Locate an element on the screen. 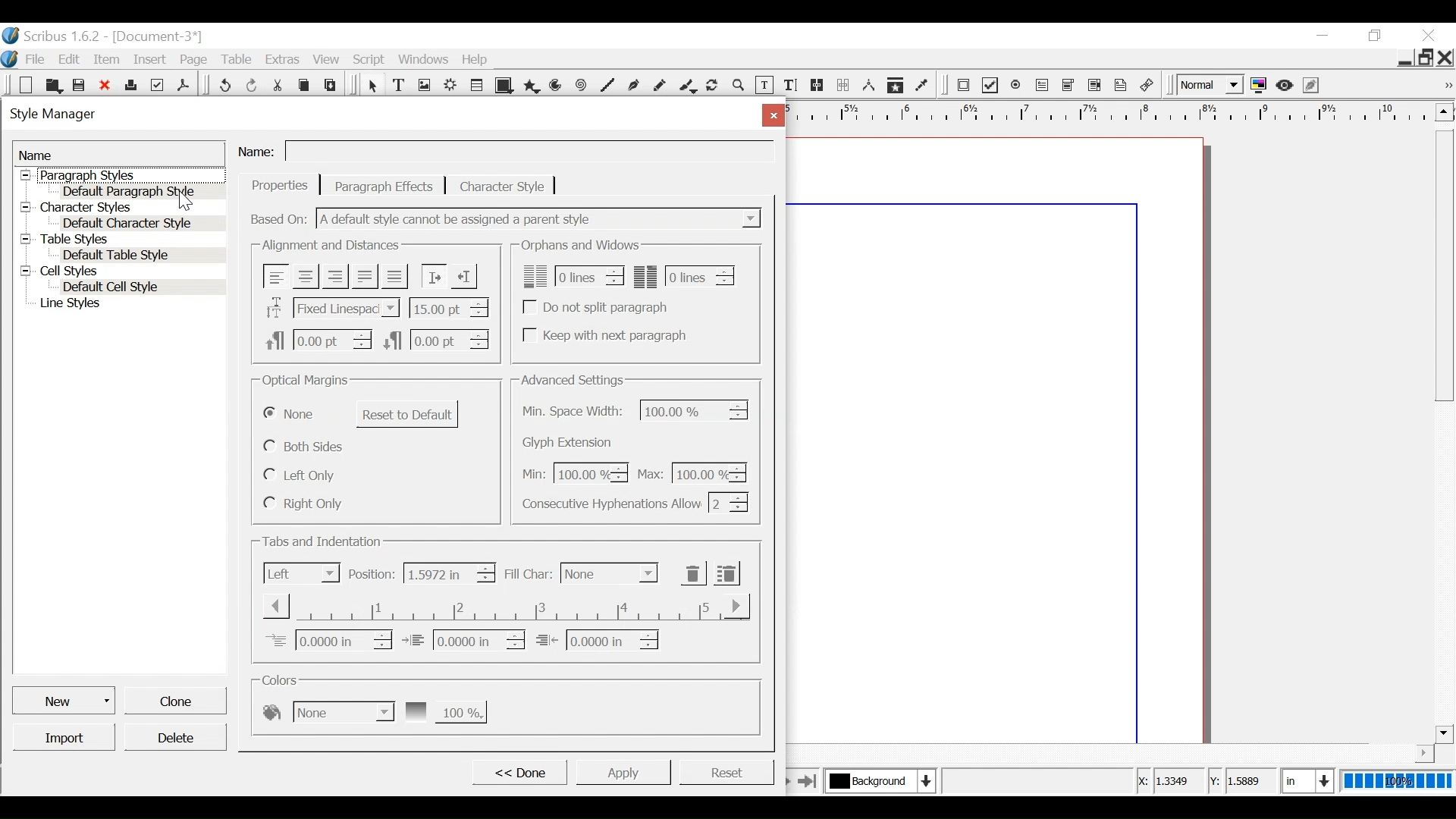  (un)check Do not split paragraph is located at coordinates (598, 307).